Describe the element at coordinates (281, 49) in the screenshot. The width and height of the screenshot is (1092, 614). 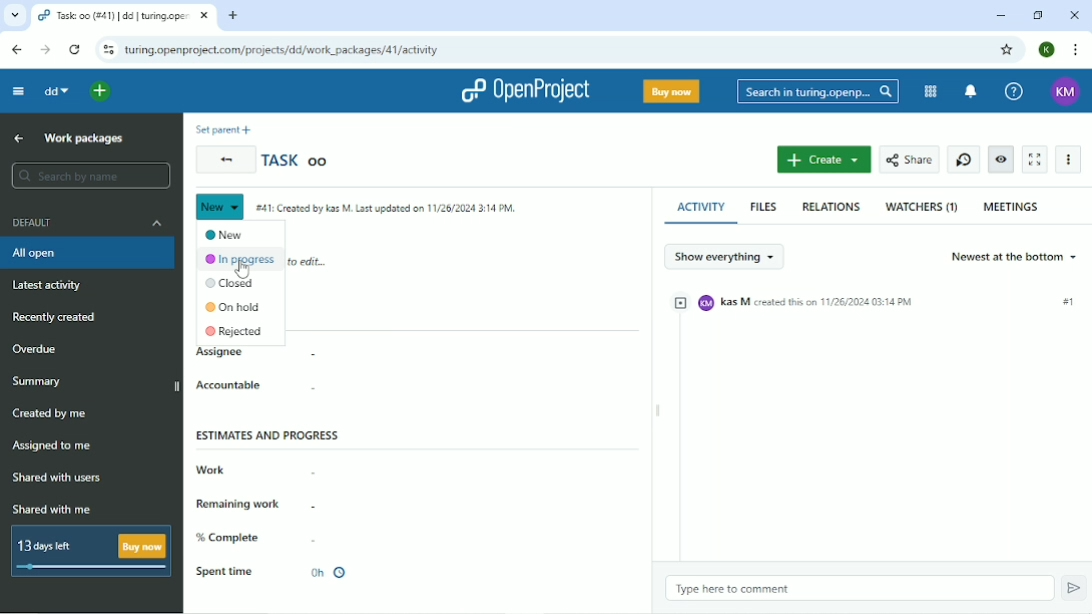
I see `turing.openproject.com/projects/dd/work_packages/42/activity` at that location.